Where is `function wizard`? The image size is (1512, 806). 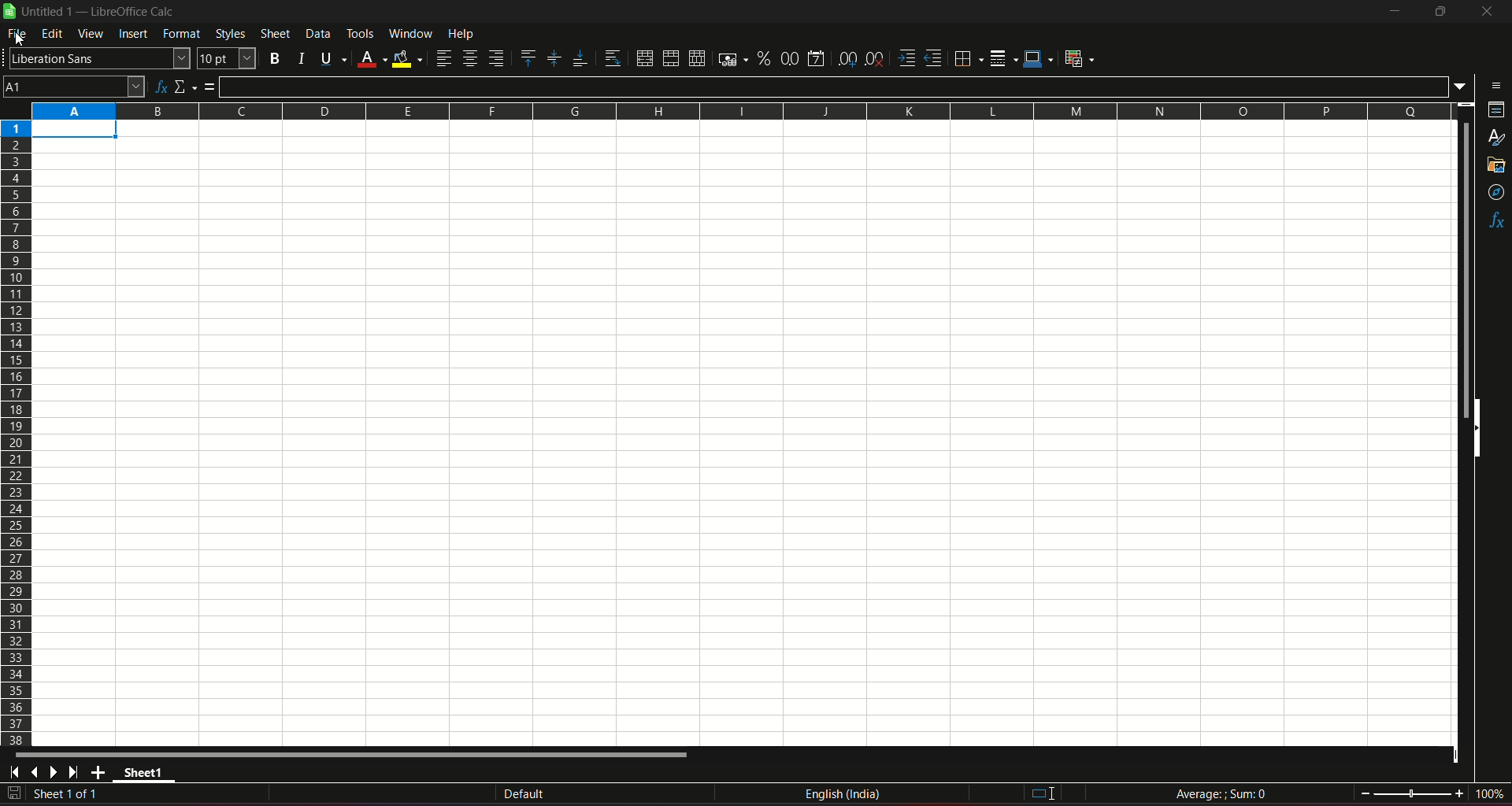
function wizard is located at coordinates (159, 85).